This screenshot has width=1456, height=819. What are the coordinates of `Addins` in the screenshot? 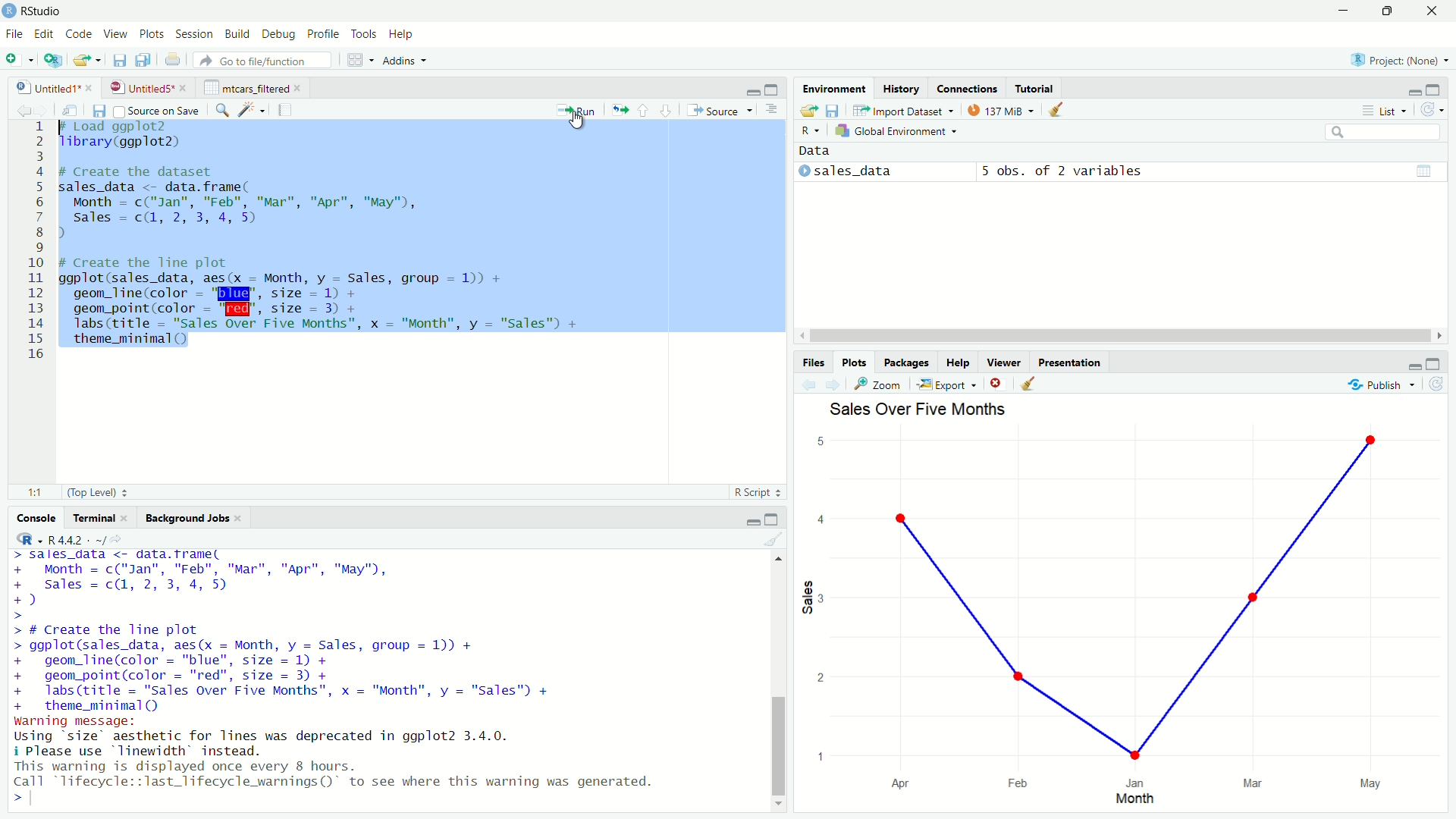 It's located at (398, 61).